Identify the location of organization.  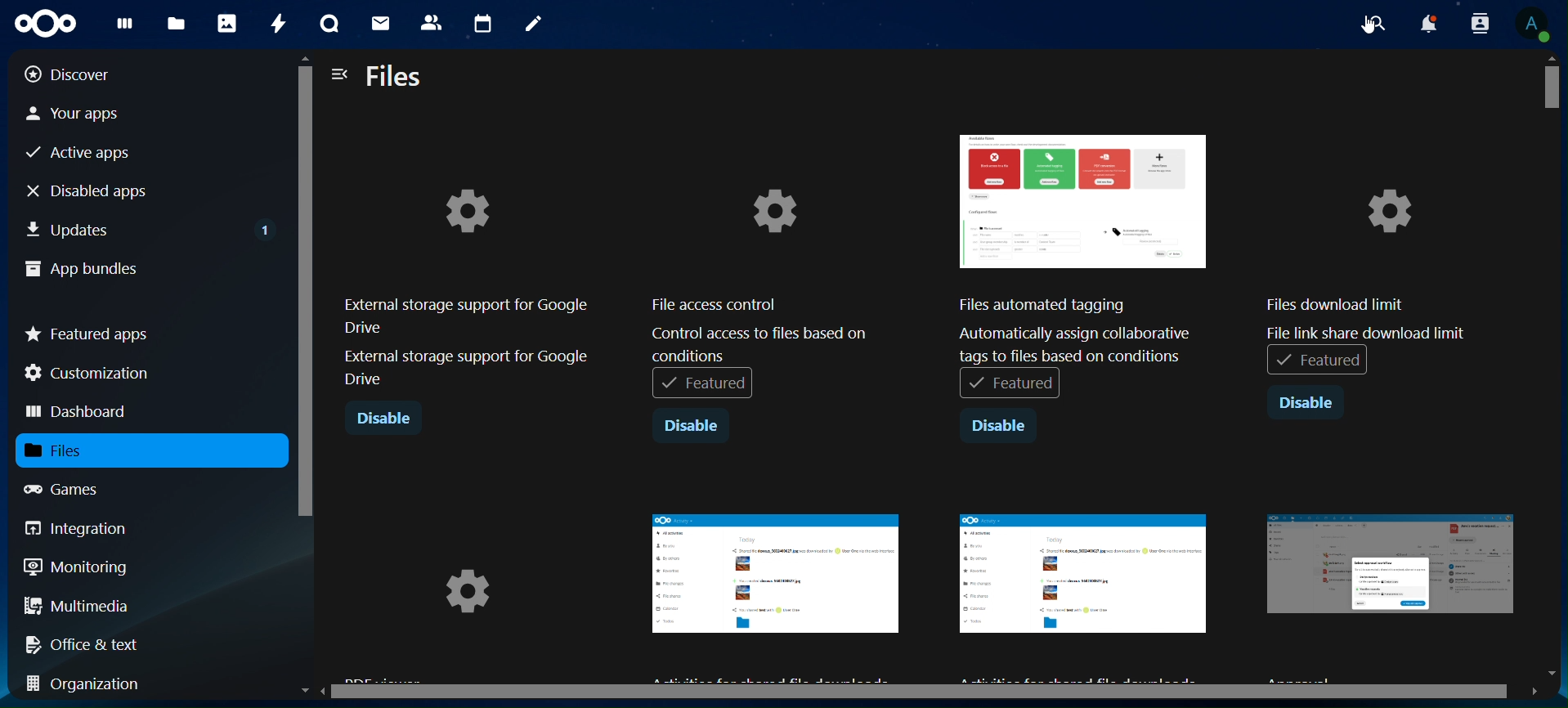
(90, 685).